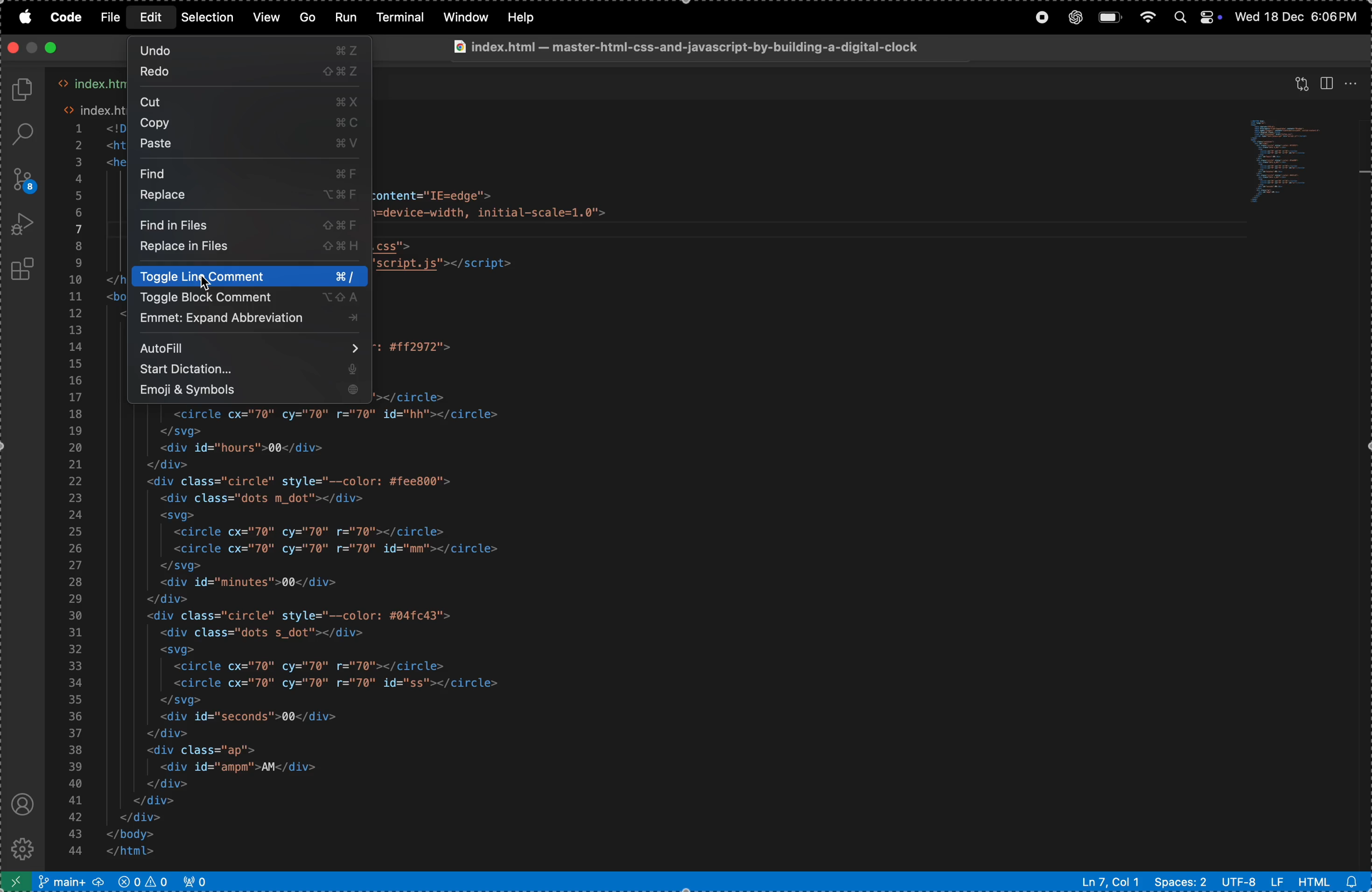 The height and width of the screenshot is (892, 1372). What do you see at coordinates (1195, 18) in the screenshot?
I see `apple widgets` at bounding box center [1195, 18].